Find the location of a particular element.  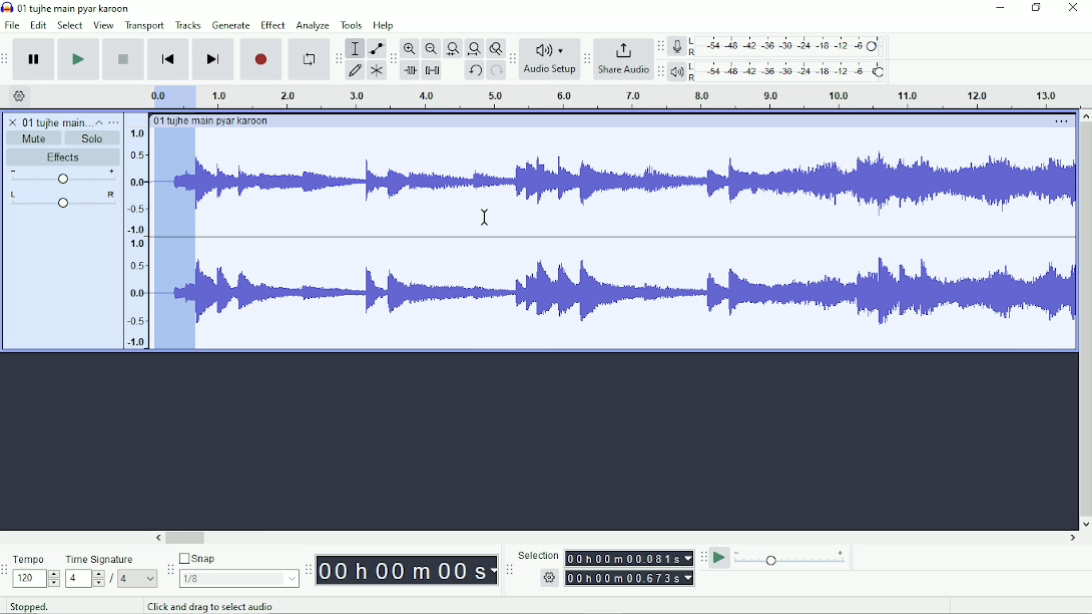

Tempo Range is located at coordinates (36, 578).